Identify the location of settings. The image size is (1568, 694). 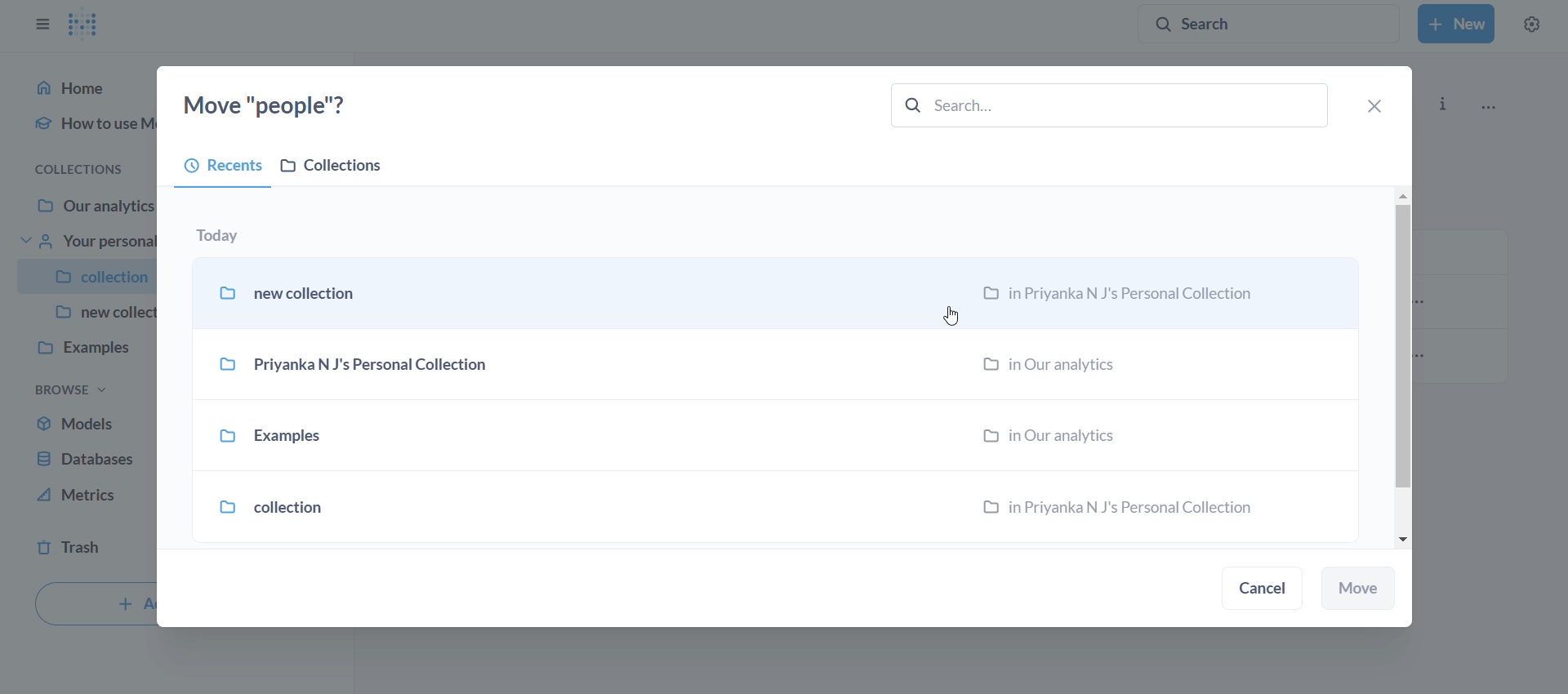
(1538, 20).